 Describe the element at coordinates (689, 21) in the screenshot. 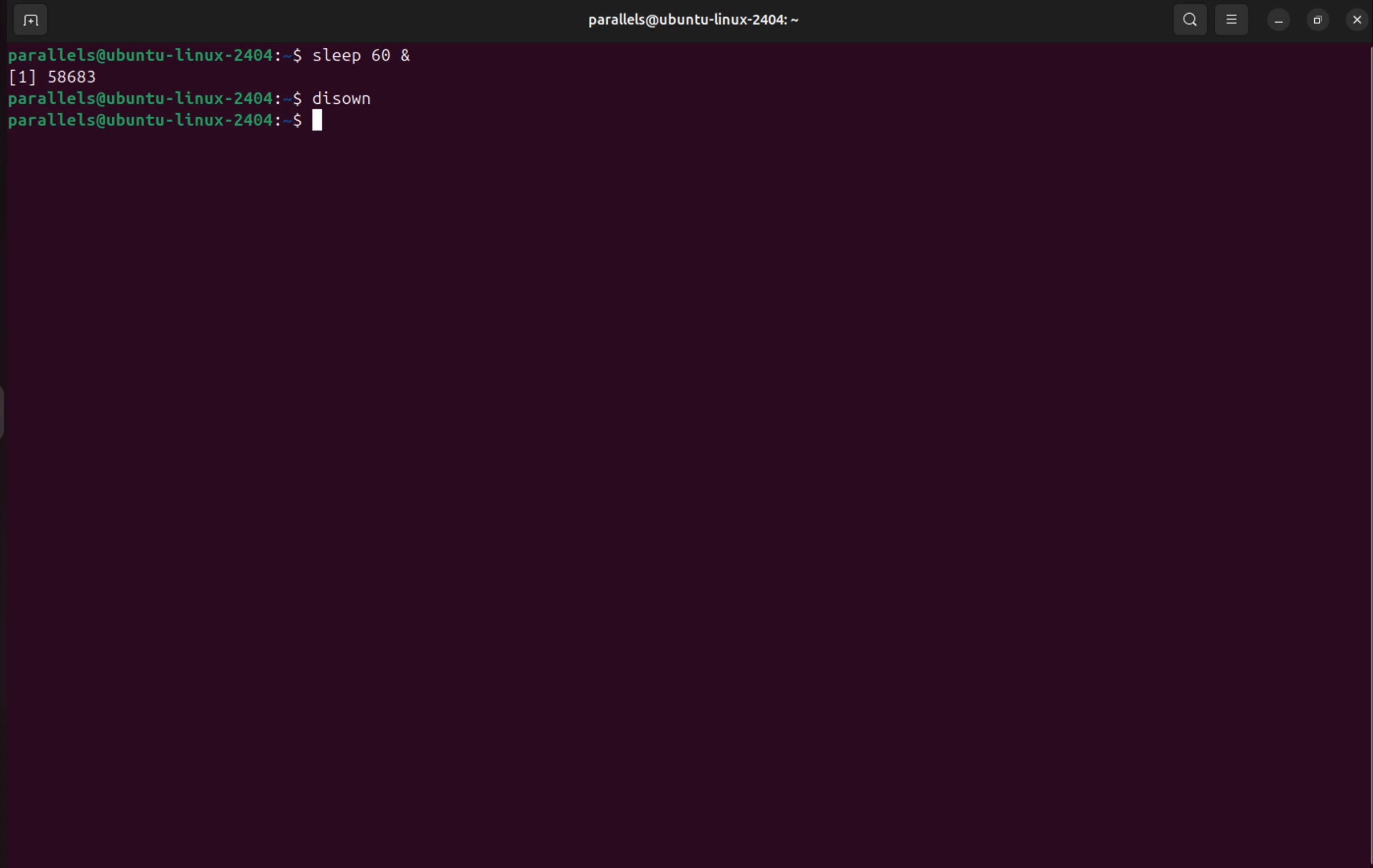

I see `parallels@ubuntu-linux-2404: ~` at that location.